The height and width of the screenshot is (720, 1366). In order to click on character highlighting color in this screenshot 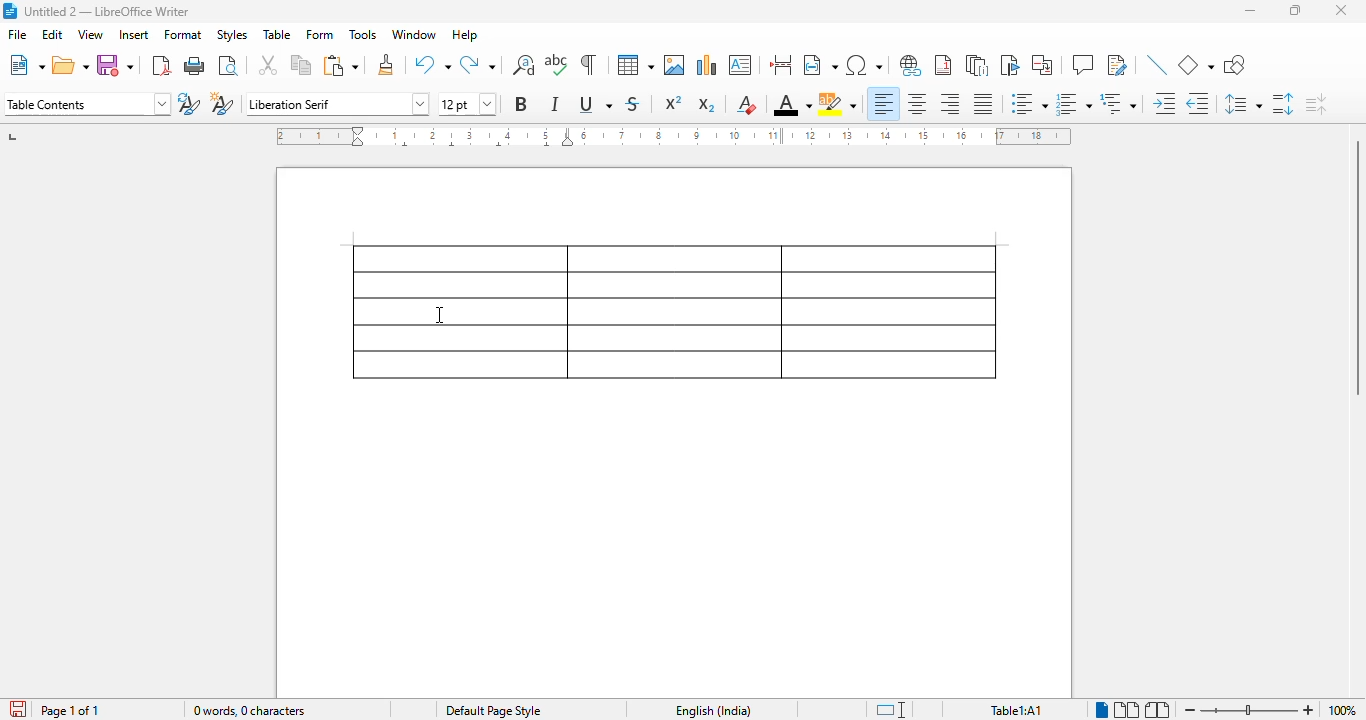, I will do `click(837, 104)`.